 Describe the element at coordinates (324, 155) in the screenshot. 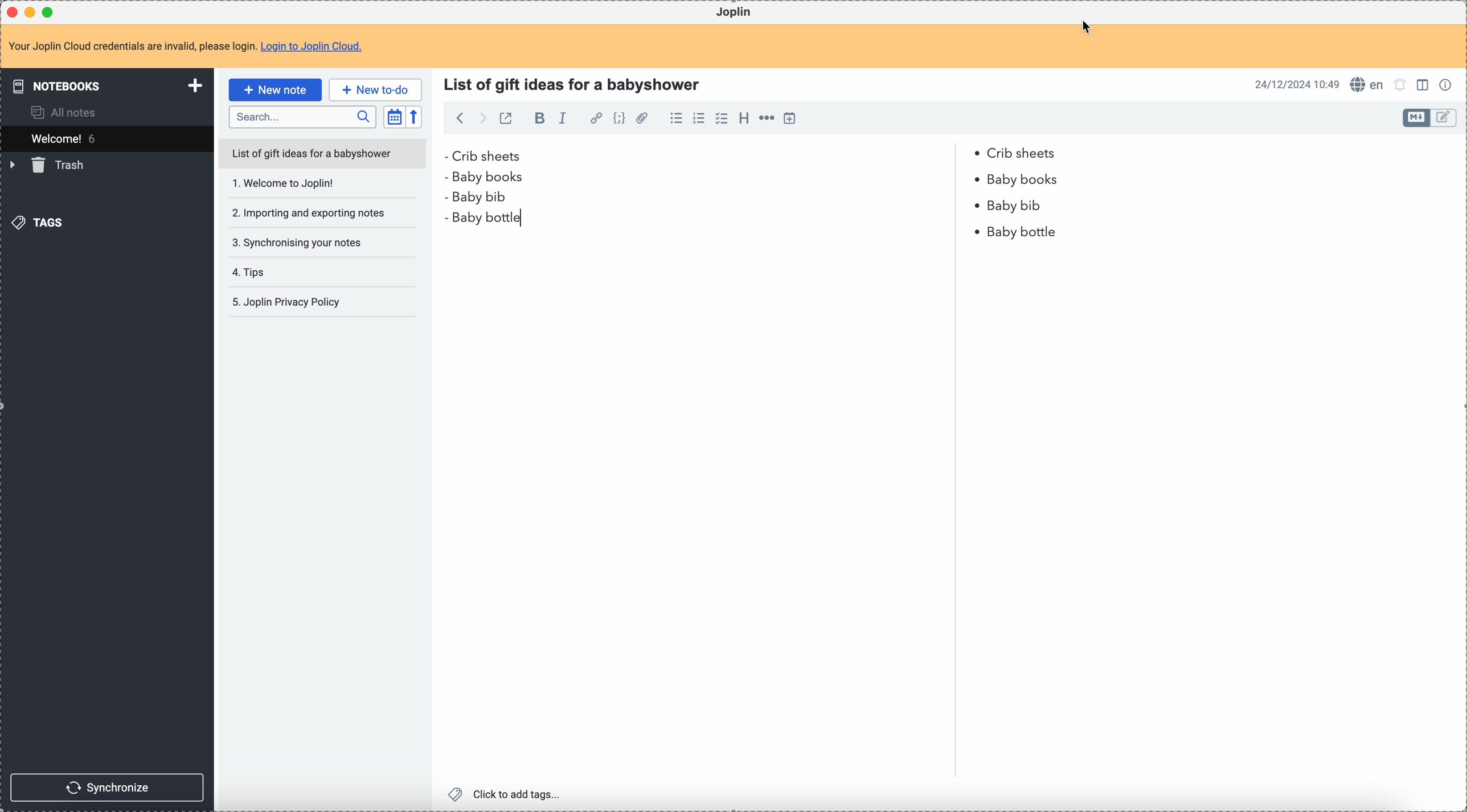

I see `list of gift ideas for a babyshower` at that location.